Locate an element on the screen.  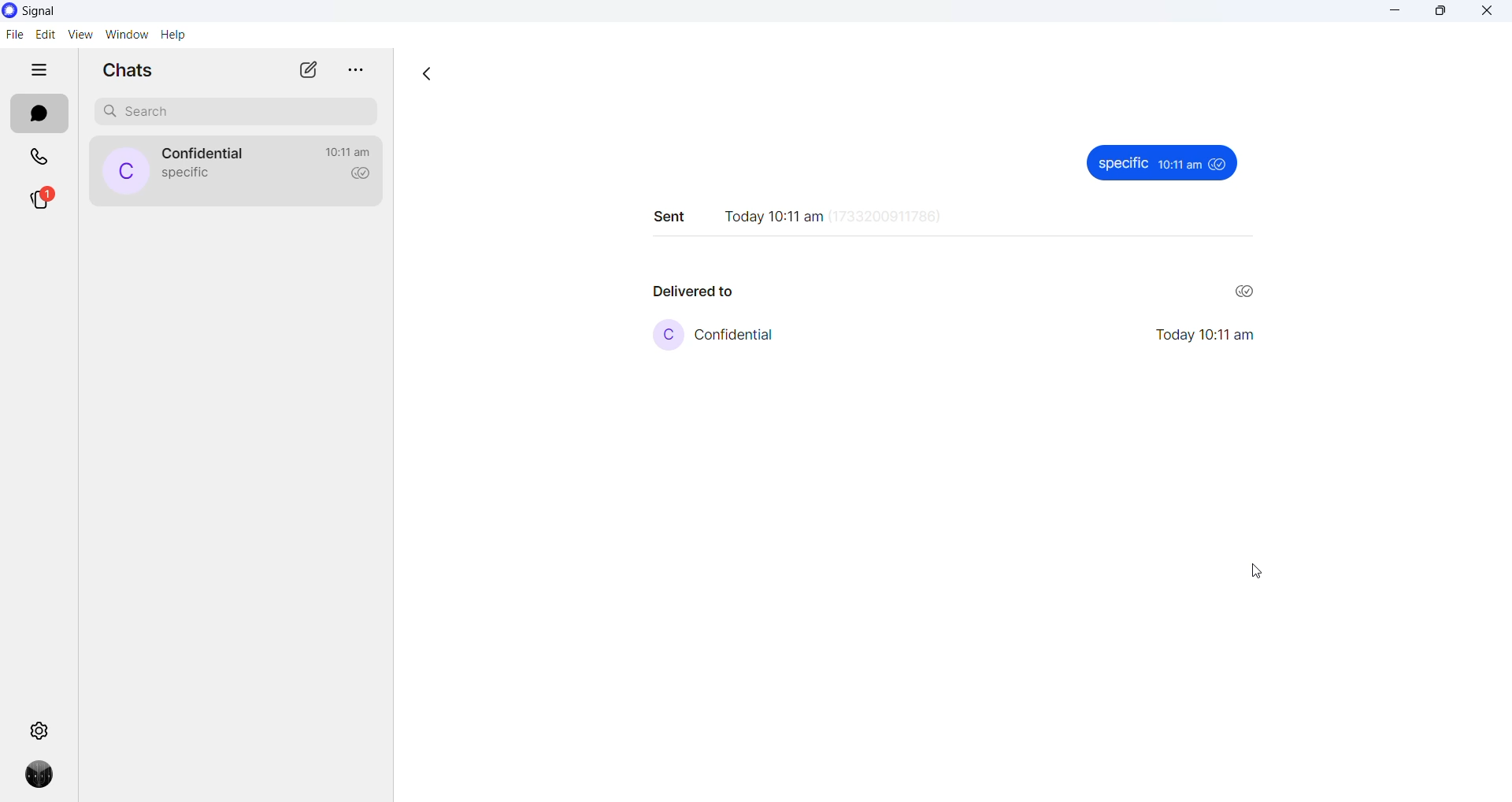
read recipient is located at coordinates (362, 173).